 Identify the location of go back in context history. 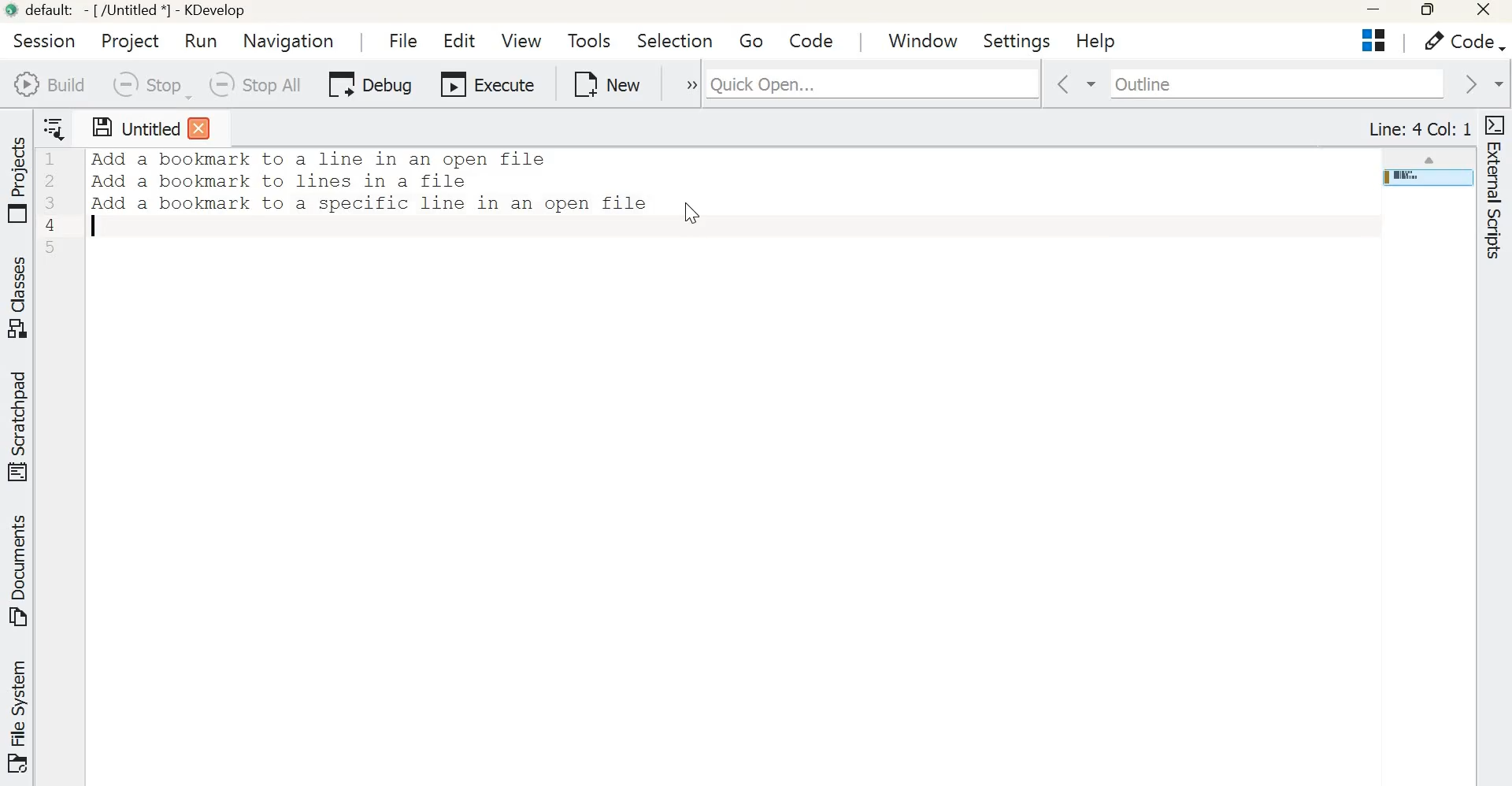
(1077, 85).